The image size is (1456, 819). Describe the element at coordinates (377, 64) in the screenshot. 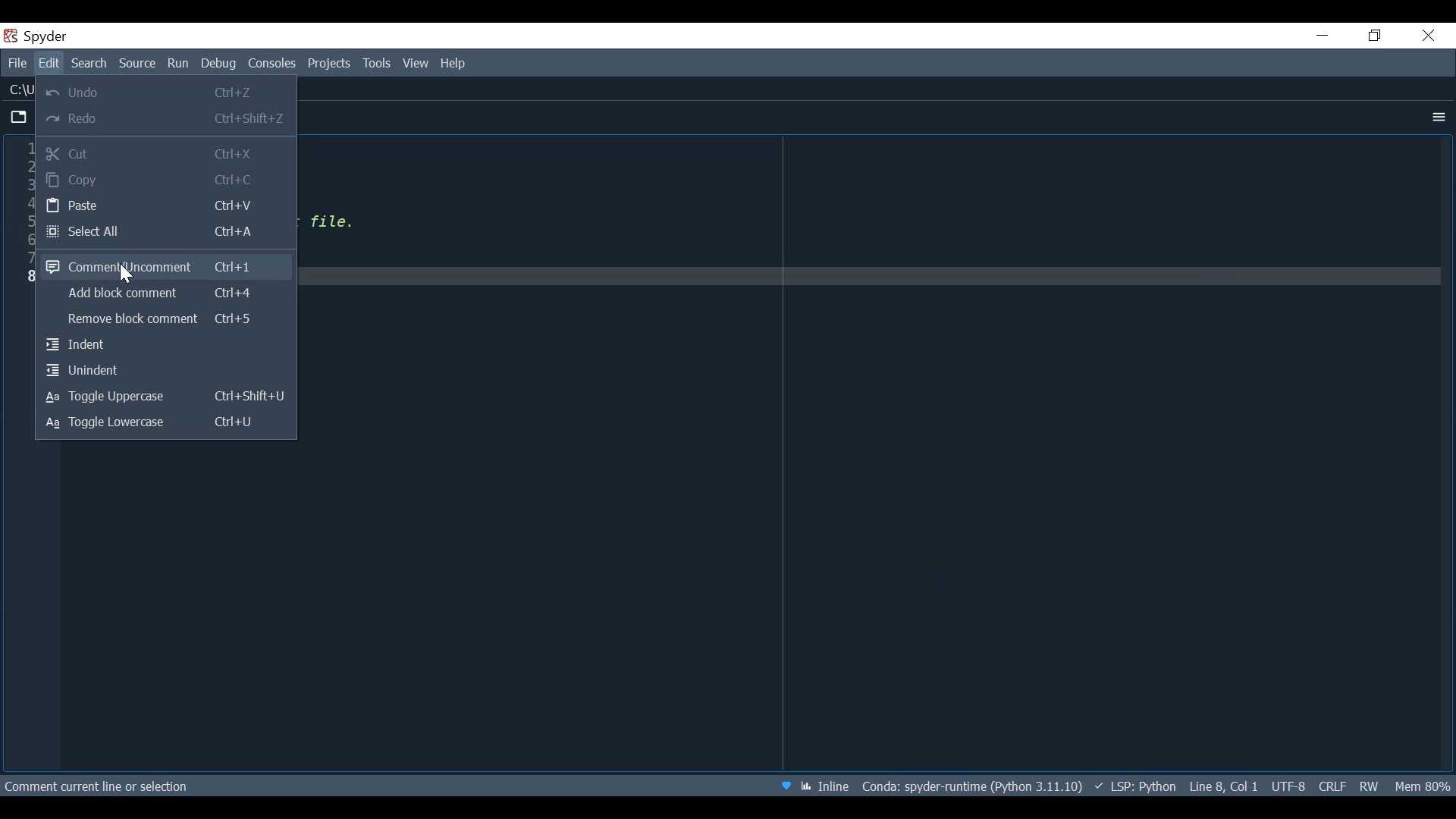

I see `Tools` at that location.